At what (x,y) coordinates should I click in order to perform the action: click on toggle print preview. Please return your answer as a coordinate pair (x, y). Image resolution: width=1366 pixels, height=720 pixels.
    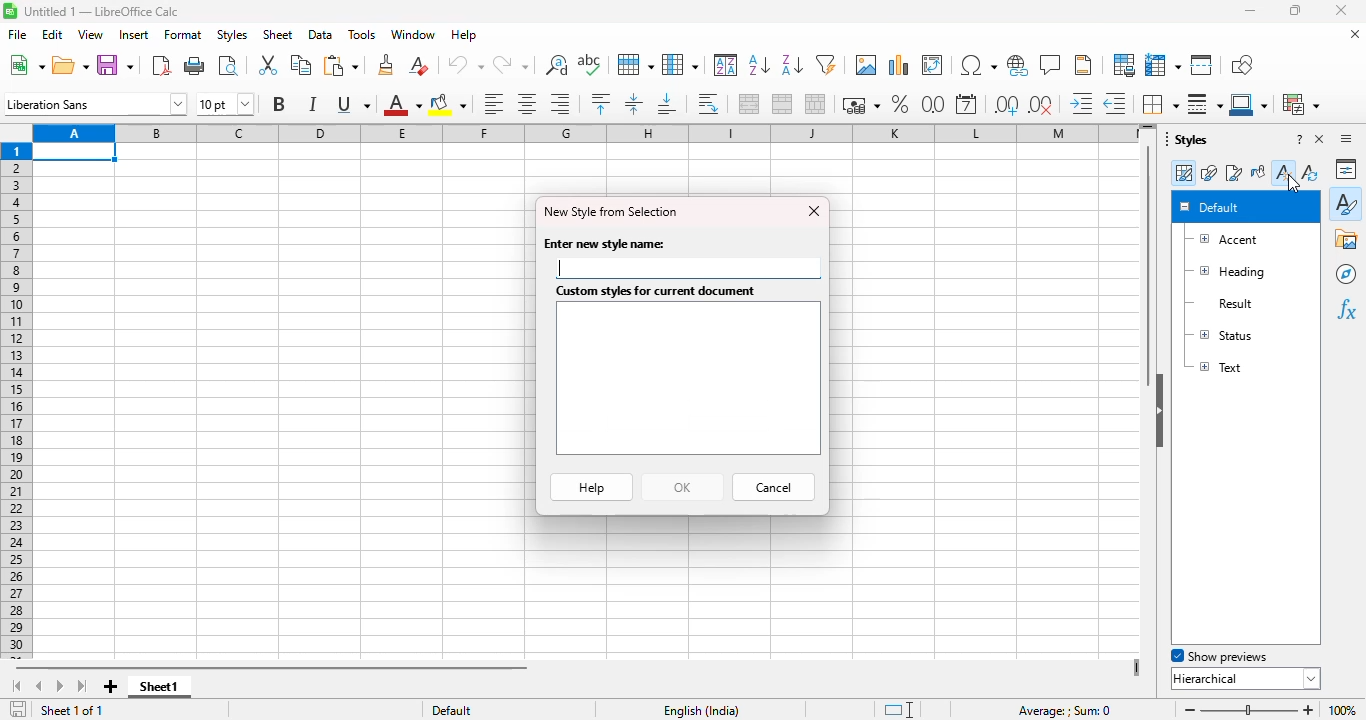
    Looking at the image, I should click on (228, 65).